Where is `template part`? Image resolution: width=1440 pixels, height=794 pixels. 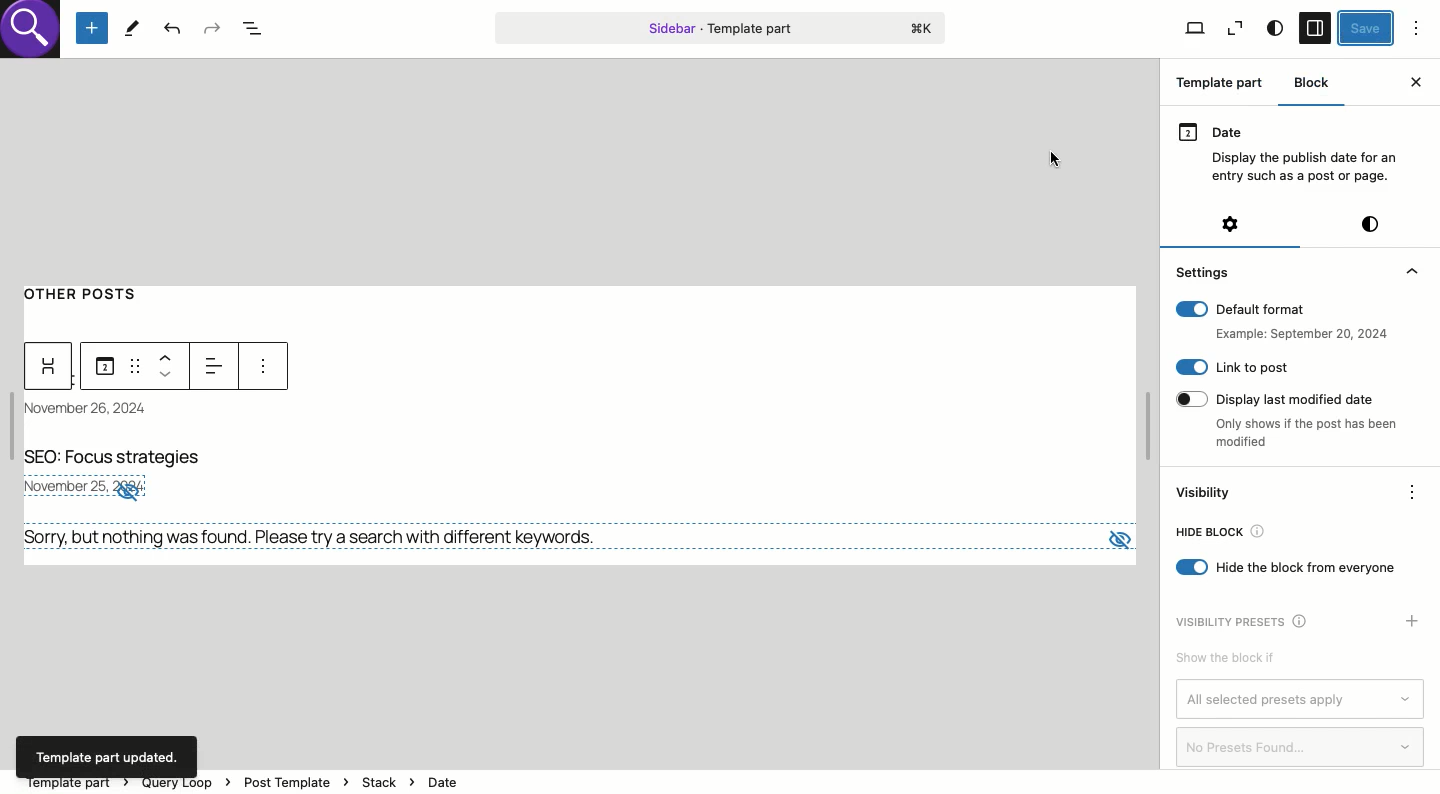
template part is located at coordinates (350, 779).